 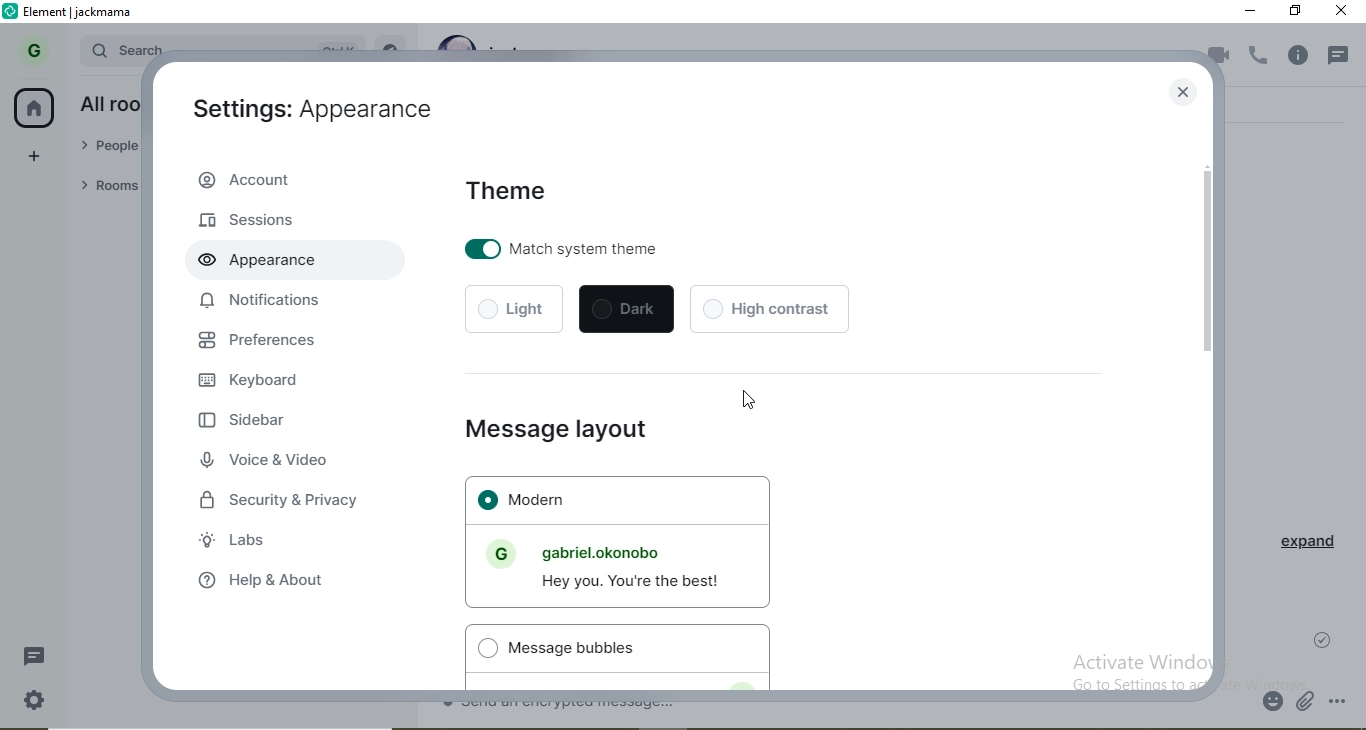 I want to click on voice call, so click(x=1260, y=57).